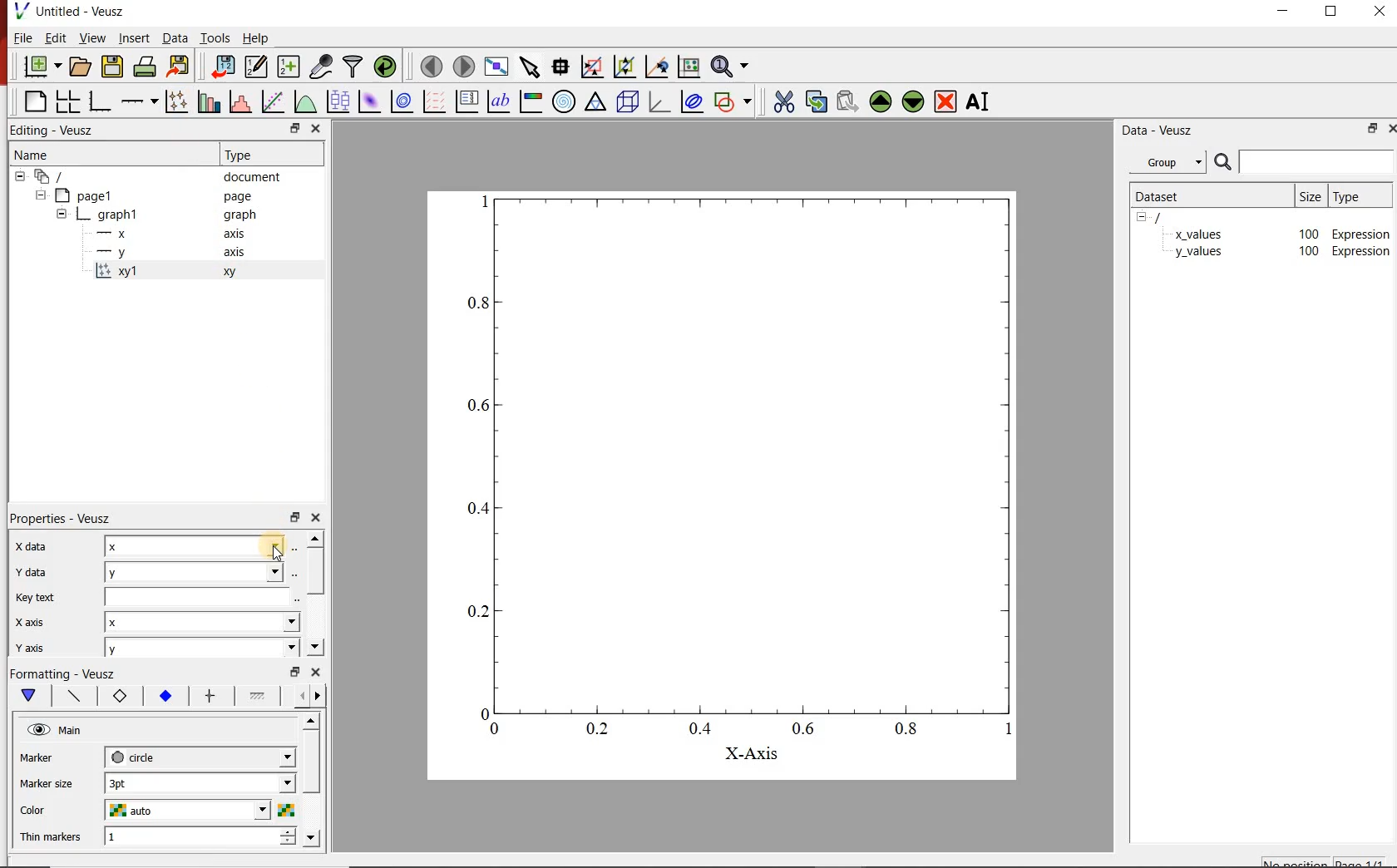  What do you see at coordinates (57, 730) in the screenshot?
I see `hide main` at bounding box center [57, 730].